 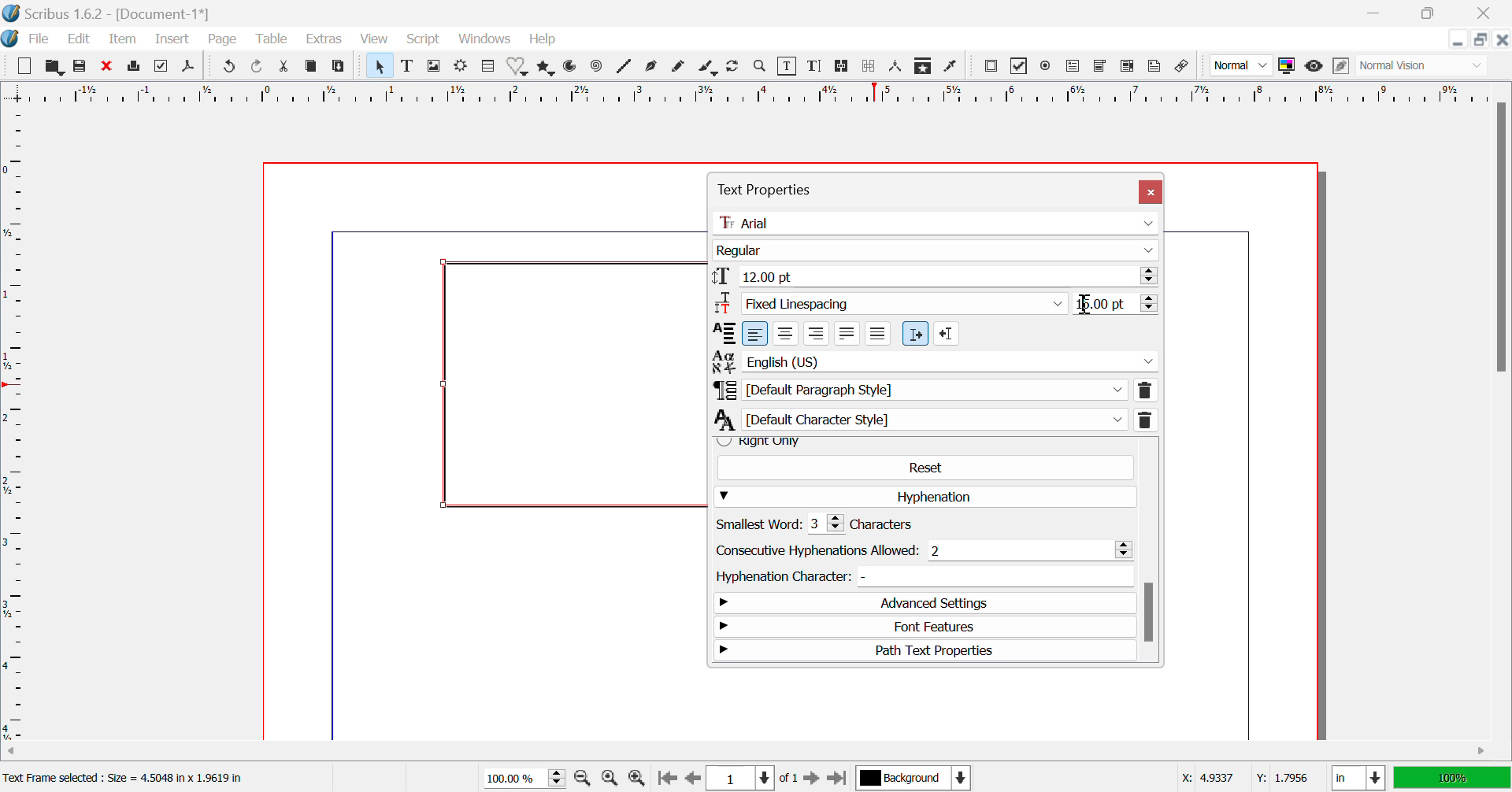 What do you see at coordinates (1281, 778) in the screenshot?
I see `Y: 1.7956` at bounding box center [1281, 778].